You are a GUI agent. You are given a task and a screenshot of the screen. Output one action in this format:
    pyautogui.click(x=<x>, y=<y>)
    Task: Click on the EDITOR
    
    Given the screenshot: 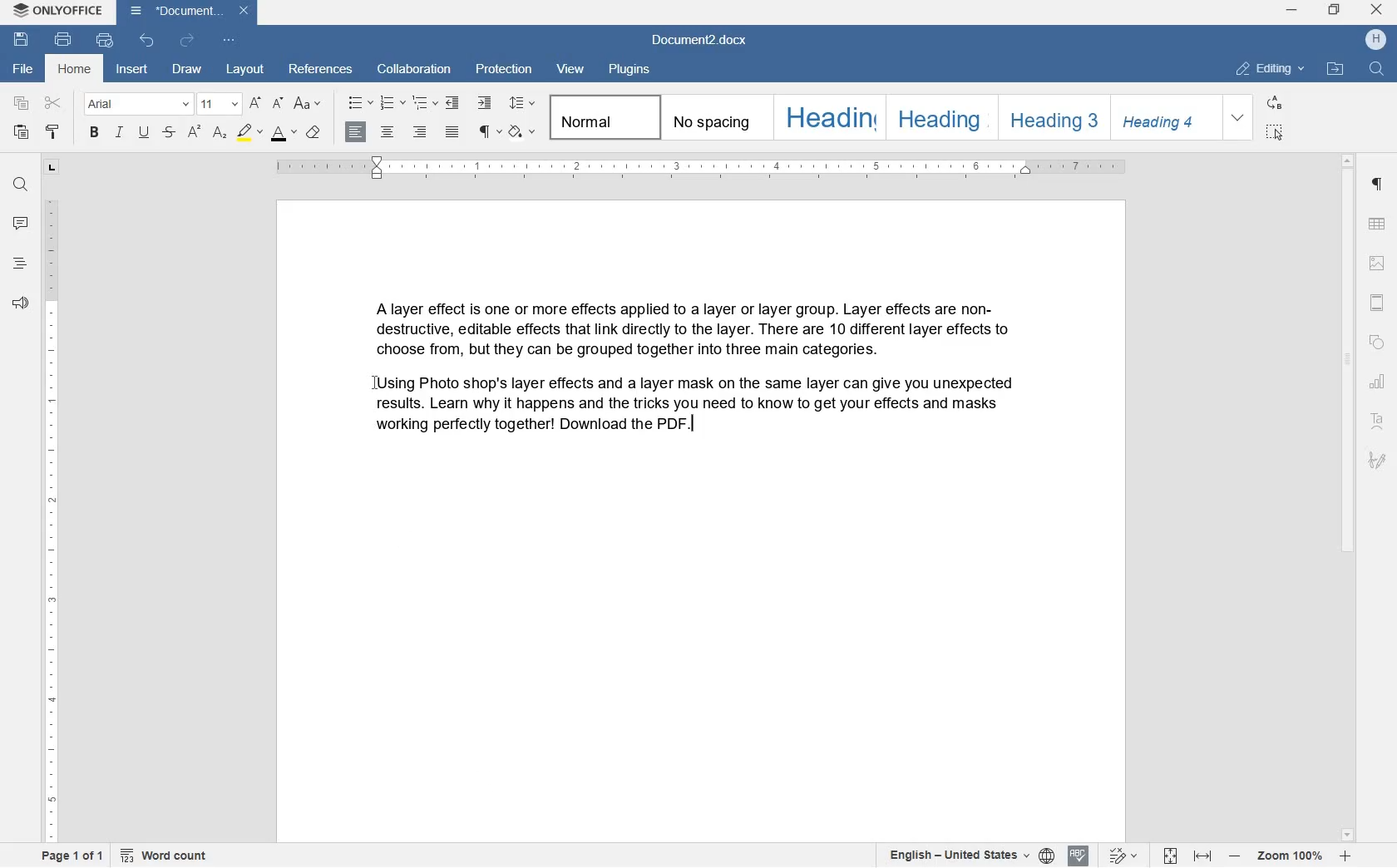 What is the action you would take?
    pyautogui.click(x=695, y=422)
    